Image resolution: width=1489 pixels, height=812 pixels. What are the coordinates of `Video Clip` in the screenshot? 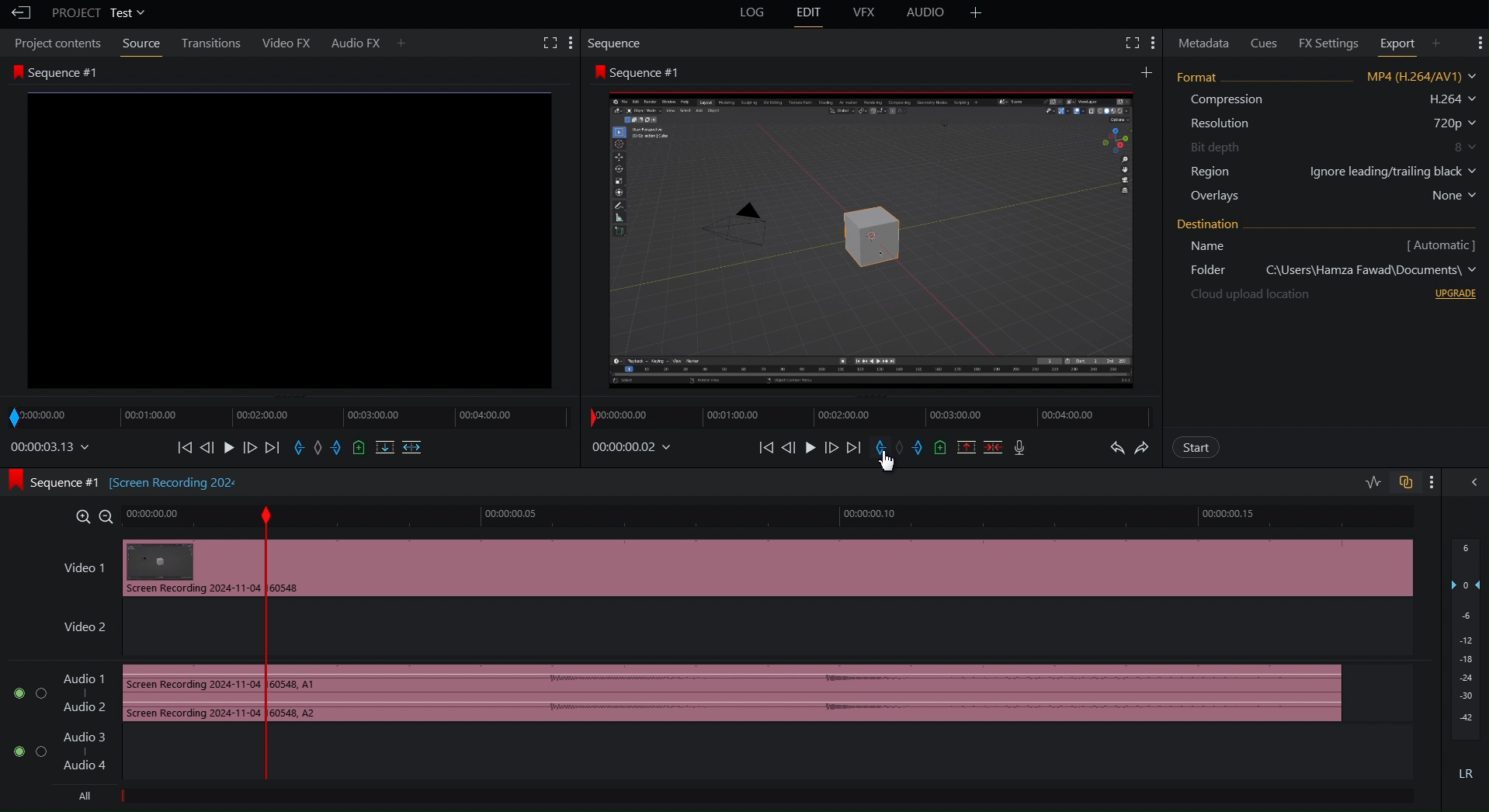 It's located at (852, 574).